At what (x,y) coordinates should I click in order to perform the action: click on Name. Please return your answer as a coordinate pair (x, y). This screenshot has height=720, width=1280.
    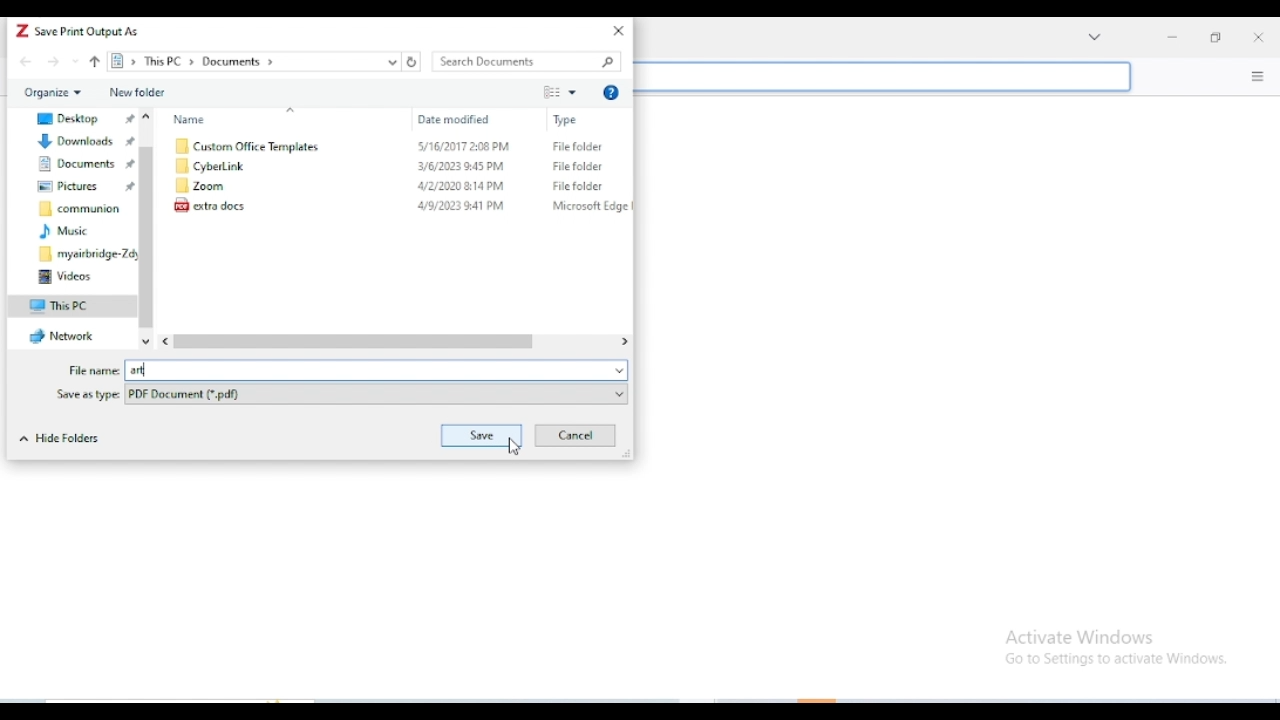
    Looking at the image, I should click on (190, 120).